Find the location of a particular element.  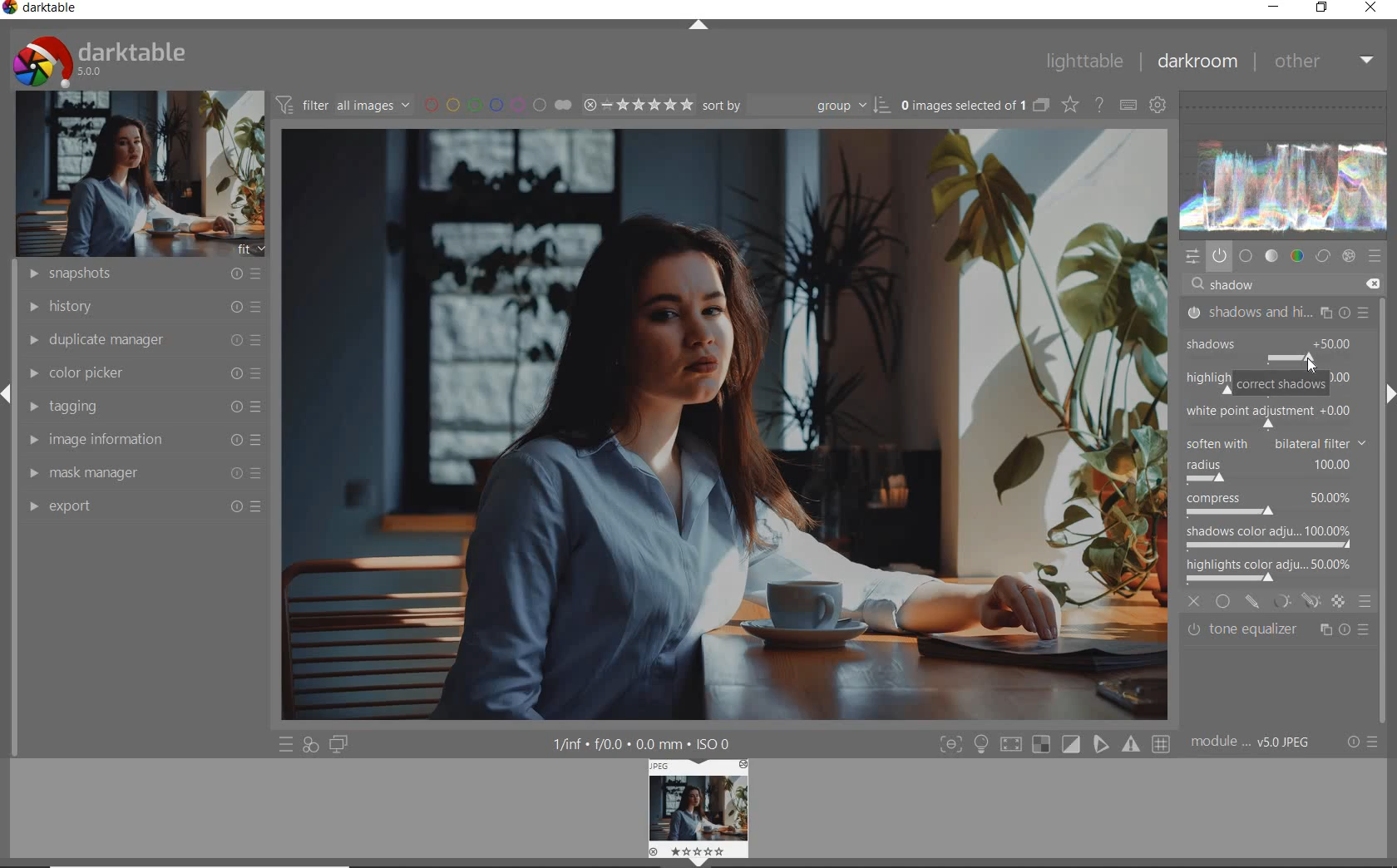

shadows color adjustment is located at coordinates (1269, 535).